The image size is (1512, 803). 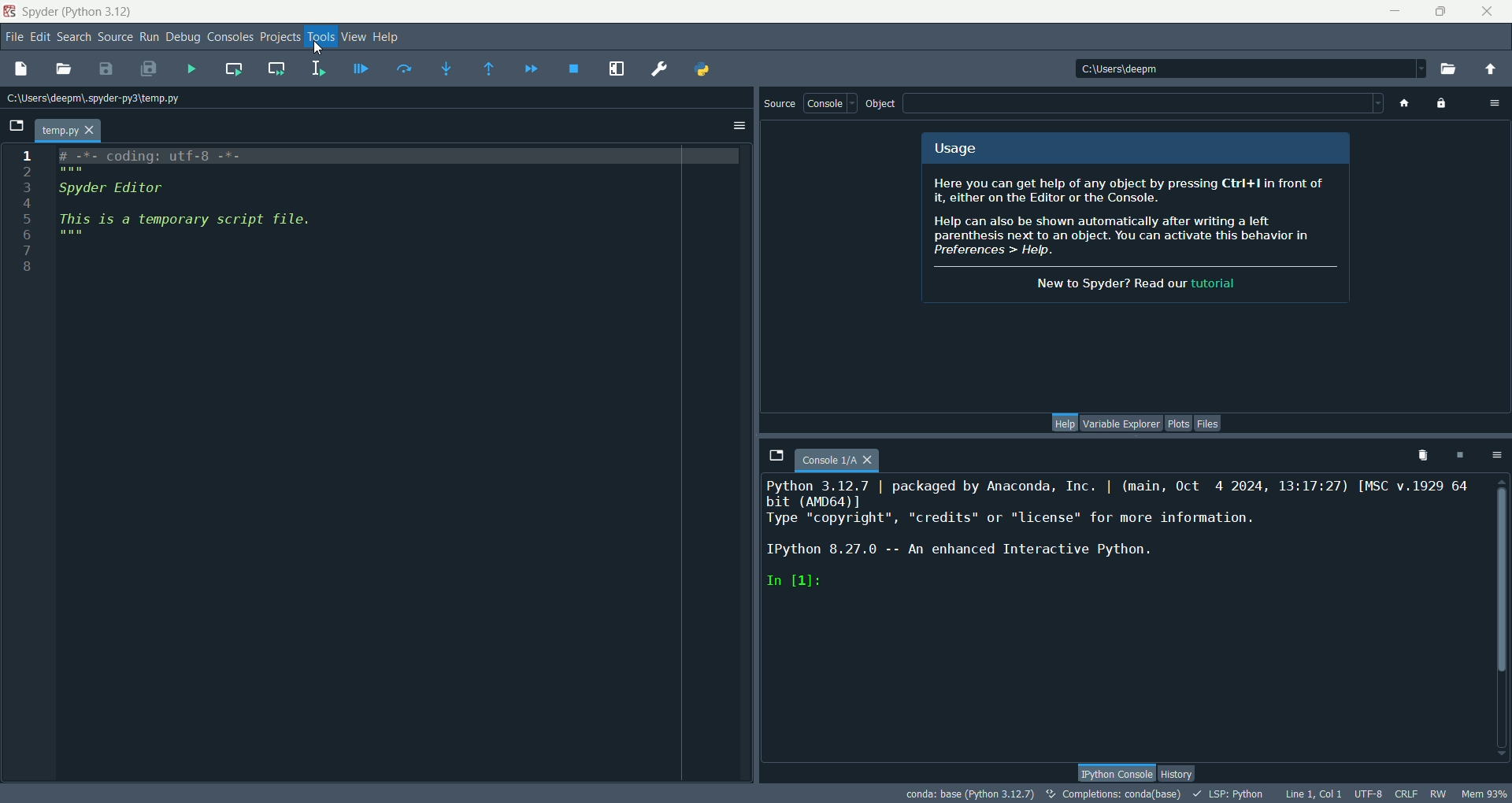 I want to click on UTF, so click(x=1369, y=795).